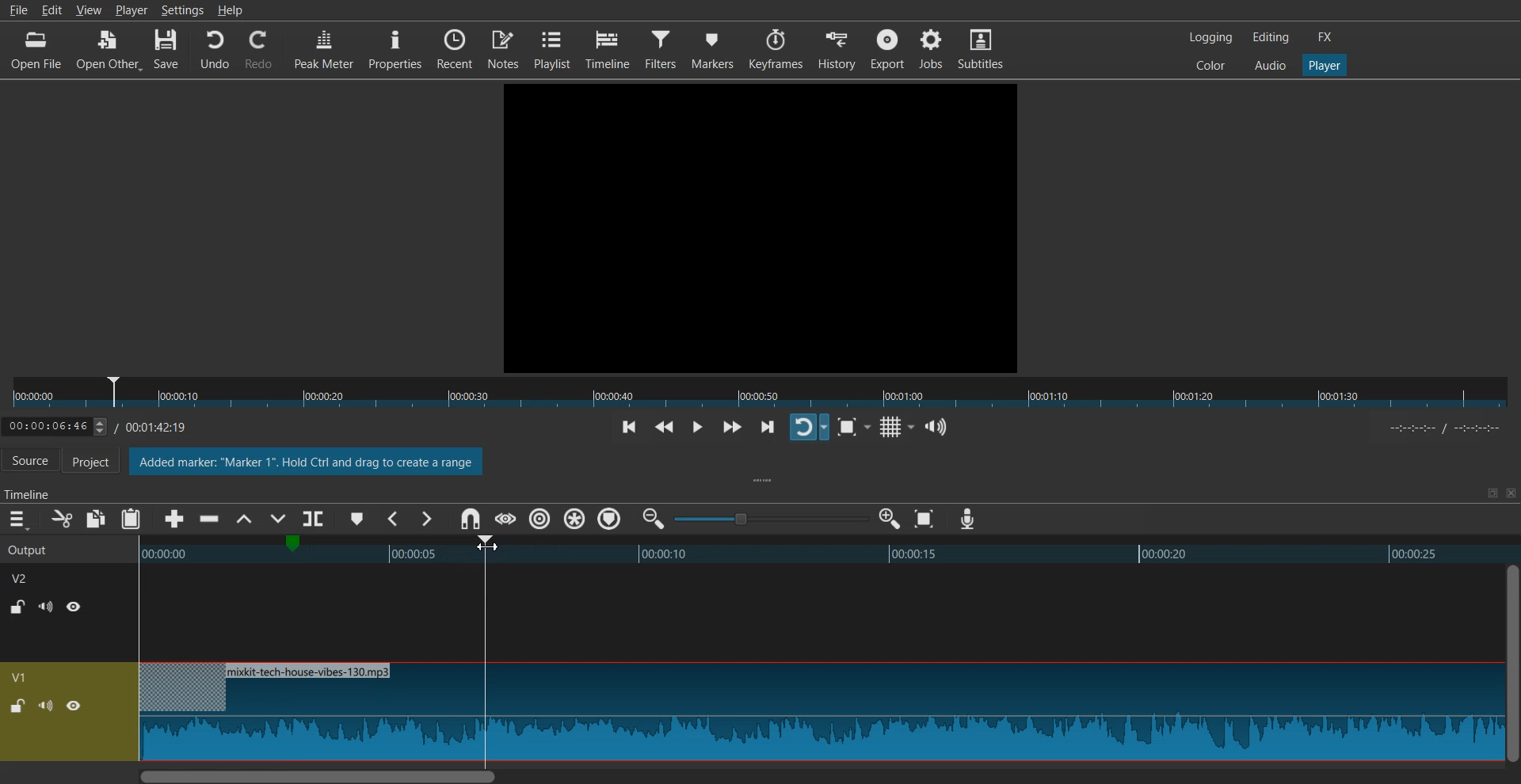  What do you see at coordinates (894, 428) in the screenshot?
I see `Toggle grid display on the player` at bounding box center [894, 428].